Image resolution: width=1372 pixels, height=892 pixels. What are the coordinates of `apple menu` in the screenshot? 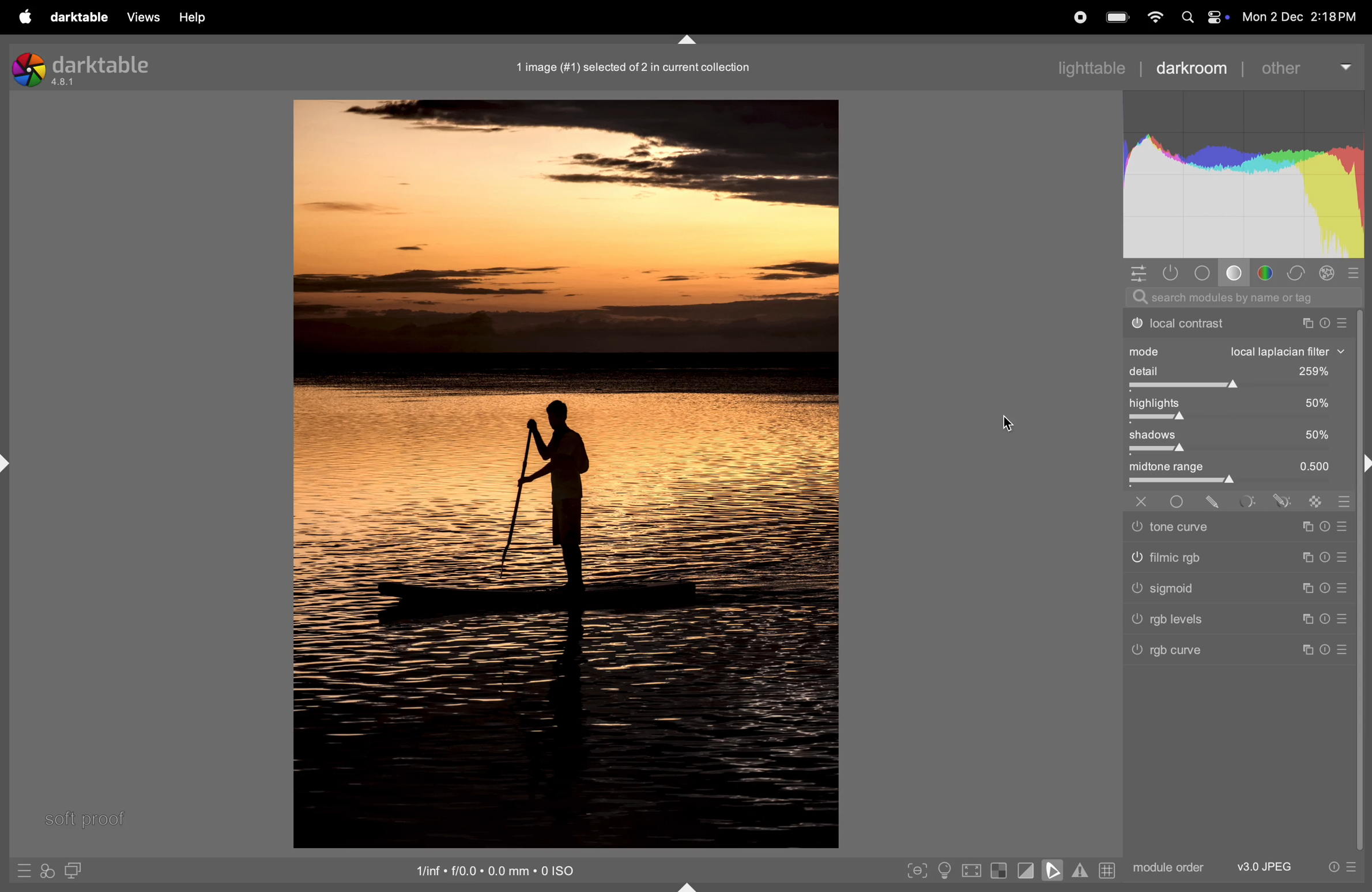 It's located at (24, 16).